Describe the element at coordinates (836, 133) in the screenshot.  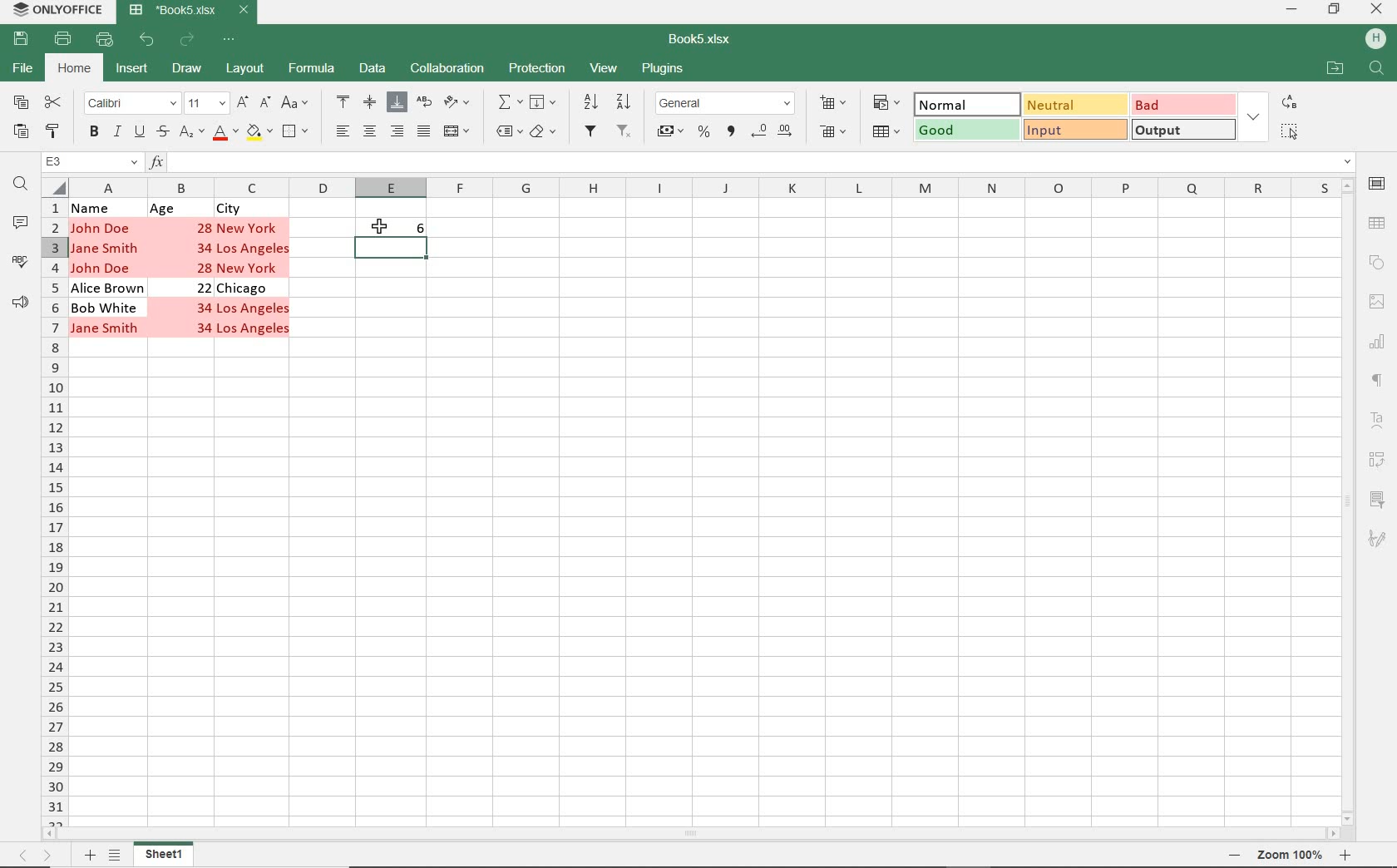
I see `DELETE CELLS` at that location.